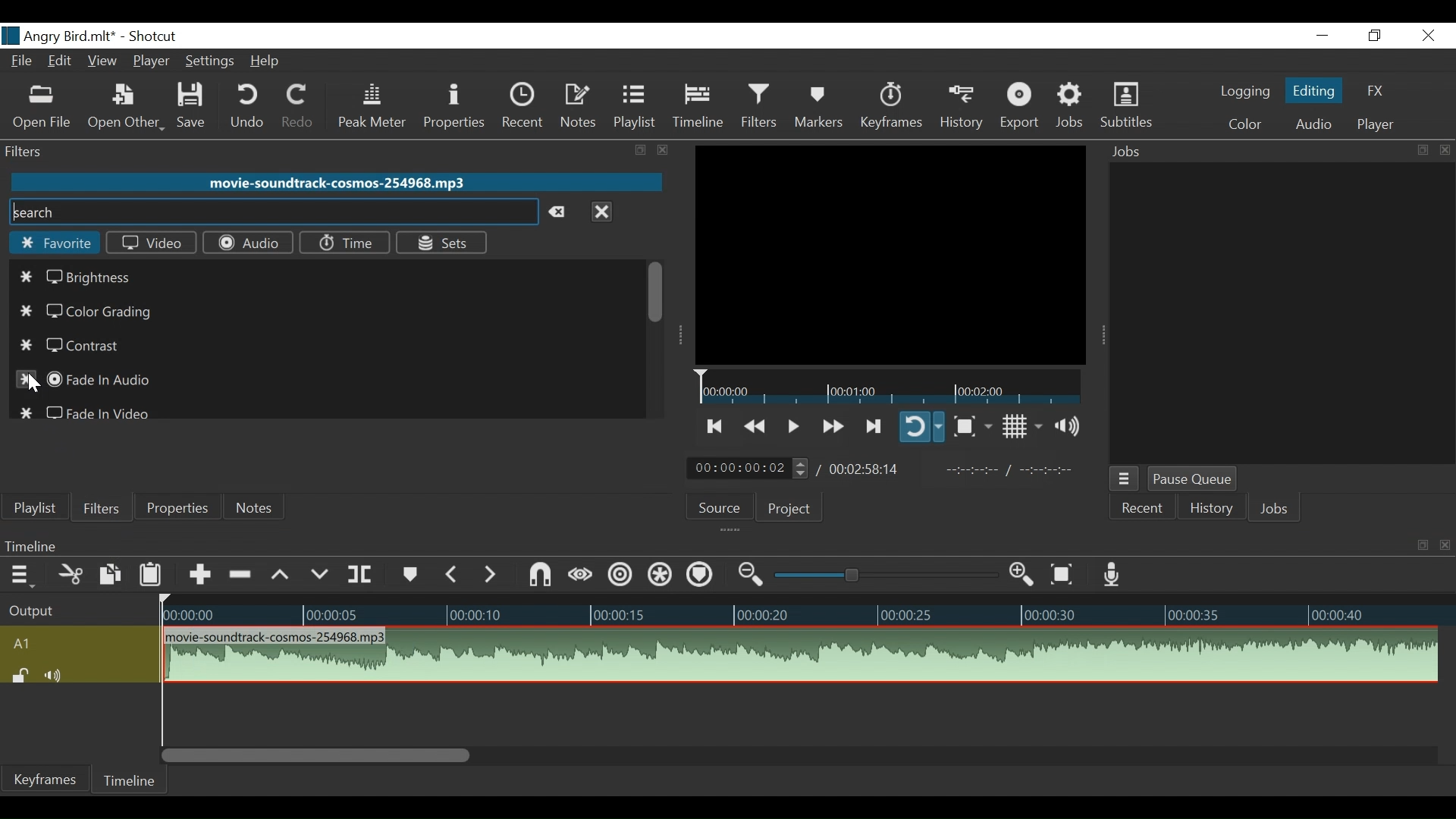 This screenshot has height=819, width=1456. Describe the element at coordinates (87, 378) in the screenshot. I see `Fade in Audio` at that location.